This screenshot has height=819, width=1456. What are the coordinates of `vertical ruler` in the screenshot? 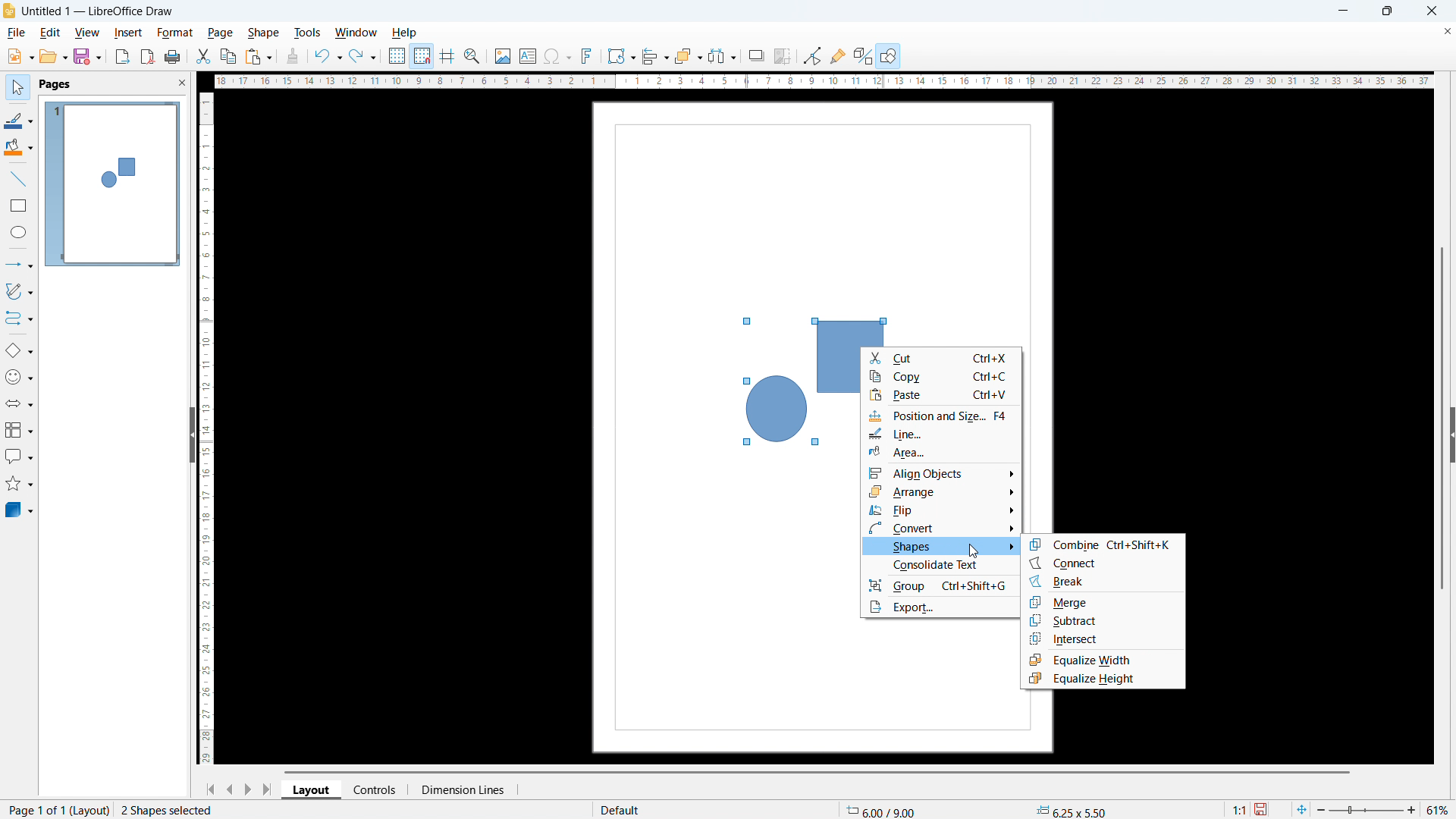 It's located at (205, 428).